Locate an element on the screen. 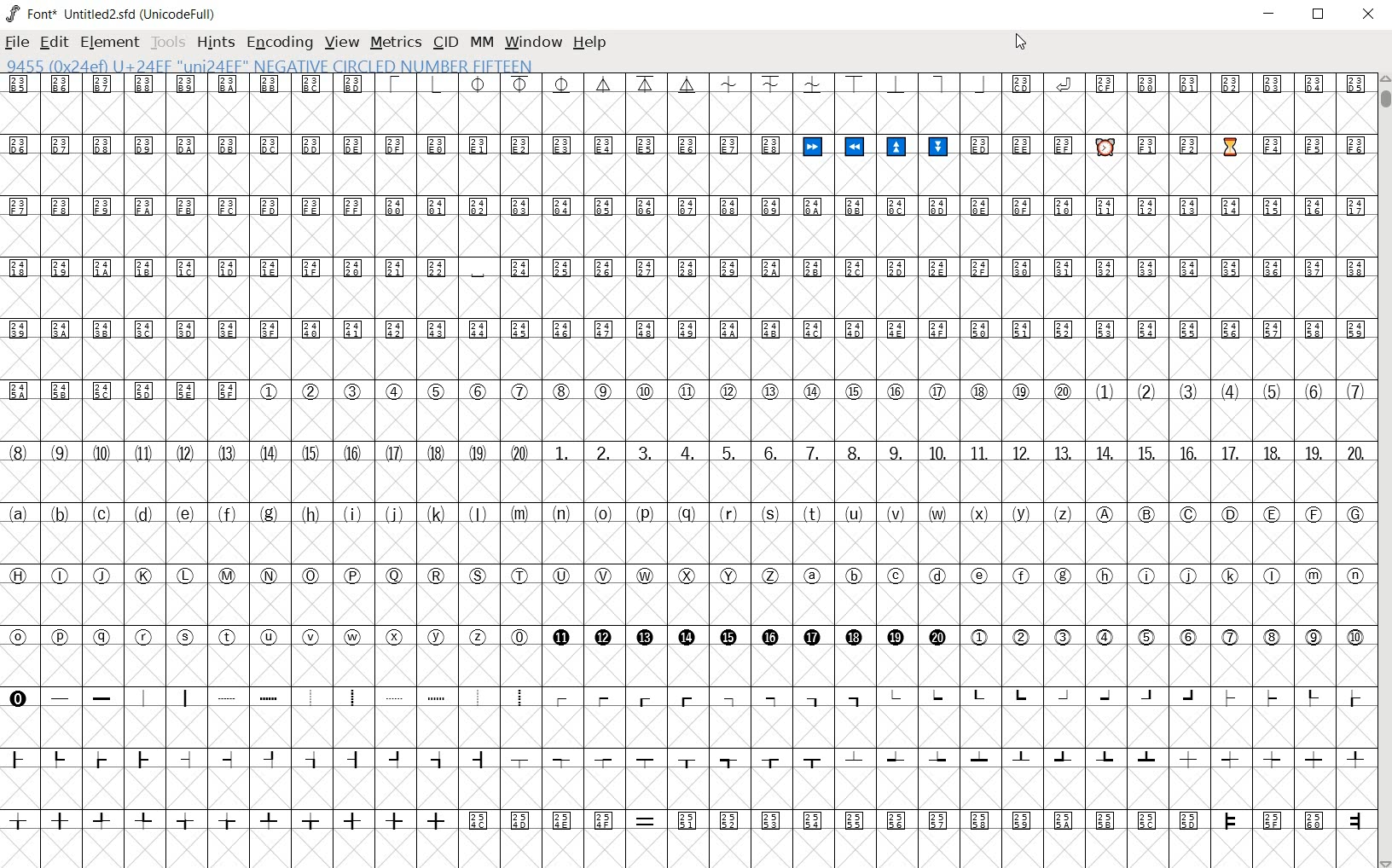  HINTS is located at coordinates (214, 44).